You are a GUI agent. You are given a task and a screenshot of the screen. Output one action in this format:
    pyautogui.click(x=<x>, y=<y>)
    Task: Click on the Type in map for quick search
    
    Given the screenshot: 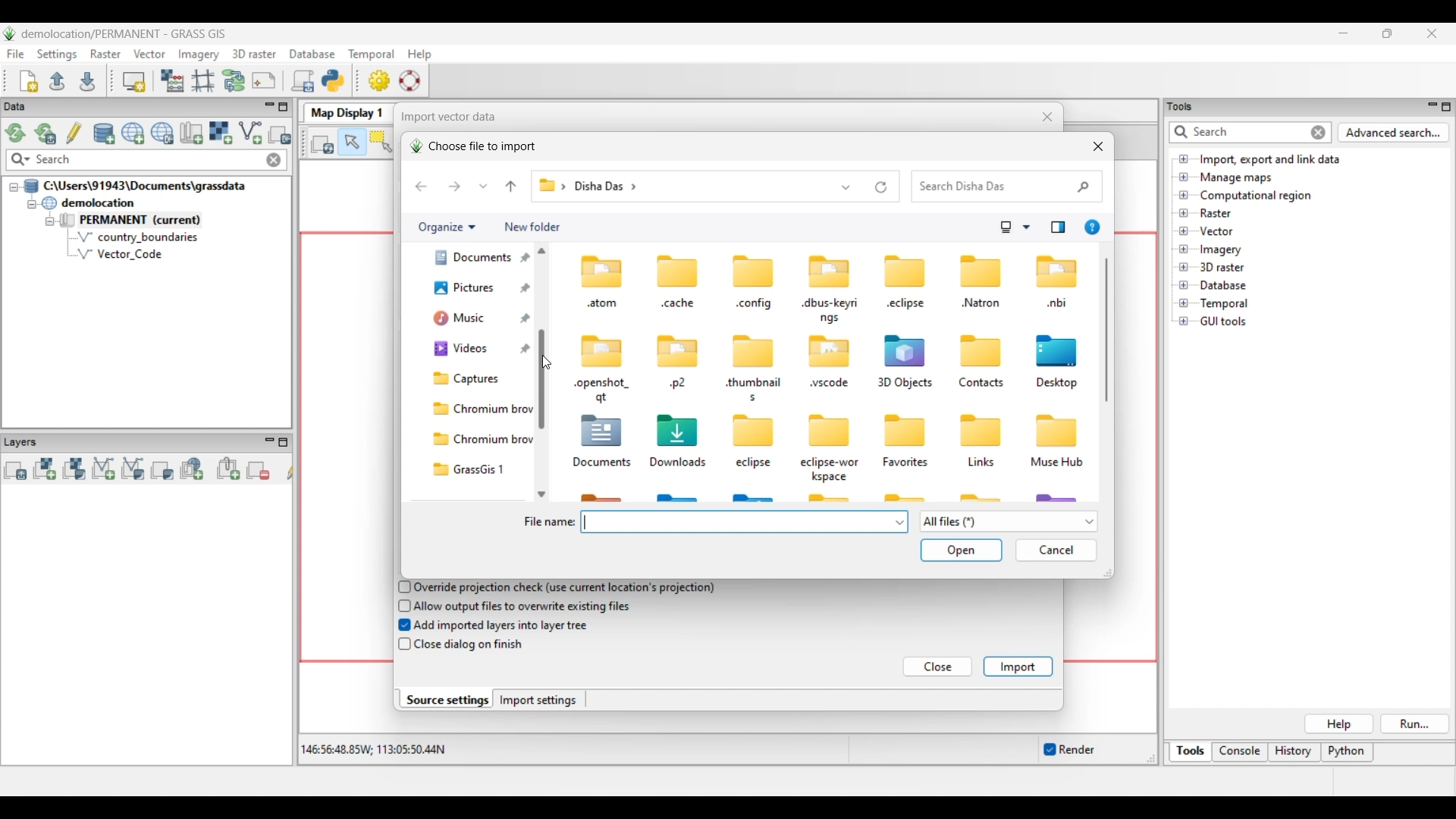 What is the action you would take?
    pyautogui.click(x=148, y=160)
    